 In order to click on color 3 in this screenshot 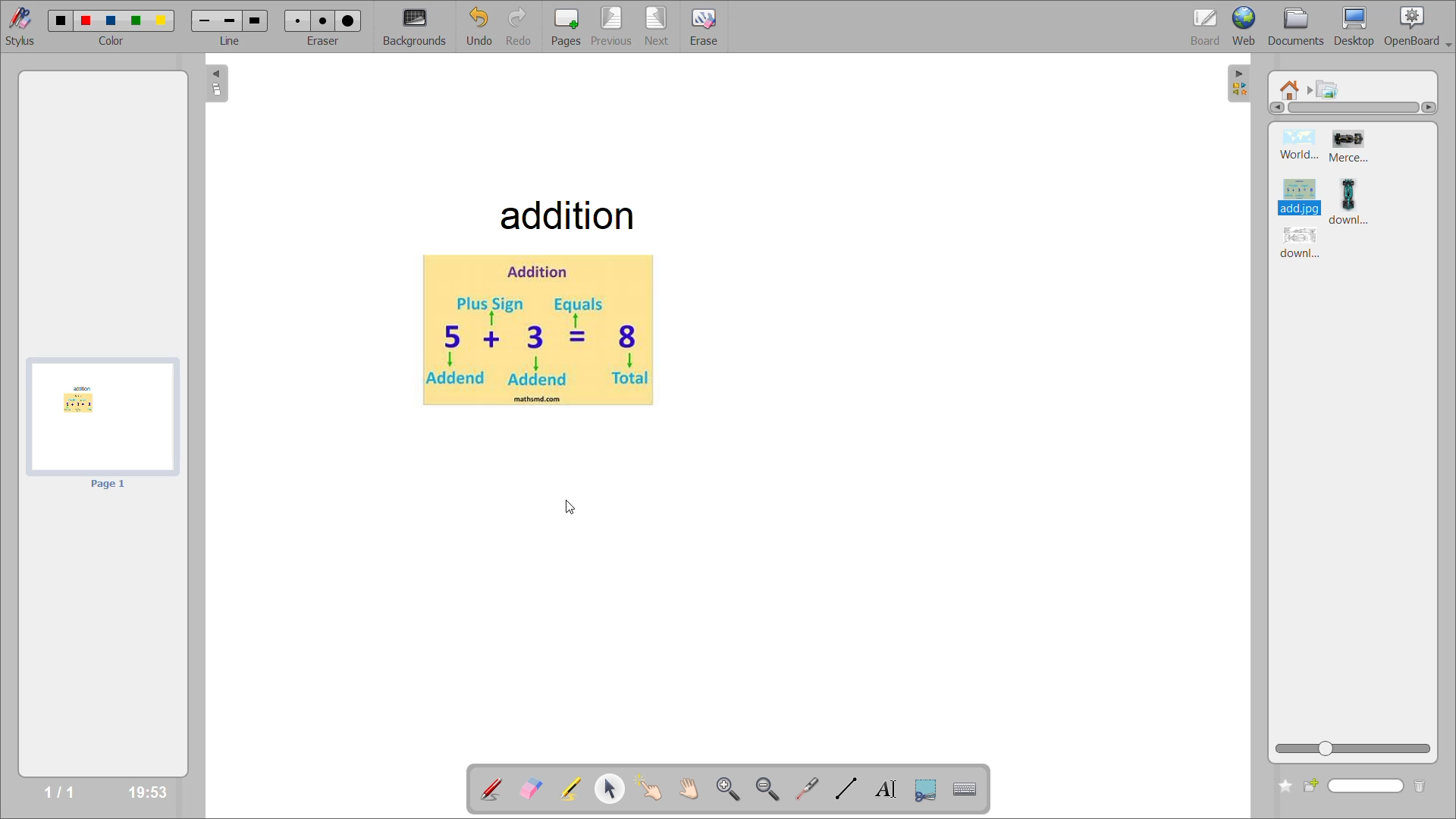, I will do `click(109, 20)`.